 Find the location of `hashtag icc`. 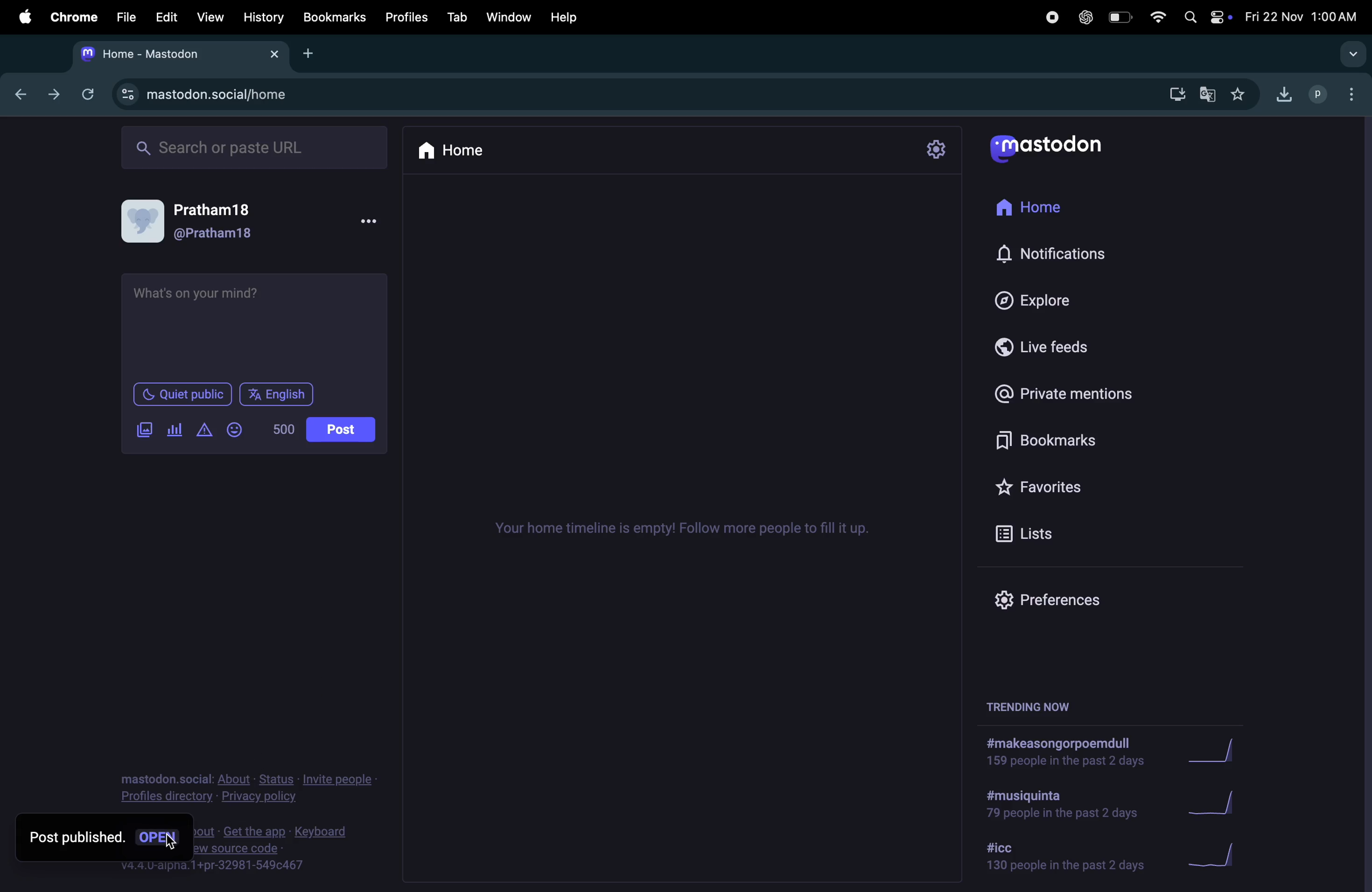

hashtag icc is located at coordinates (1057, 857).